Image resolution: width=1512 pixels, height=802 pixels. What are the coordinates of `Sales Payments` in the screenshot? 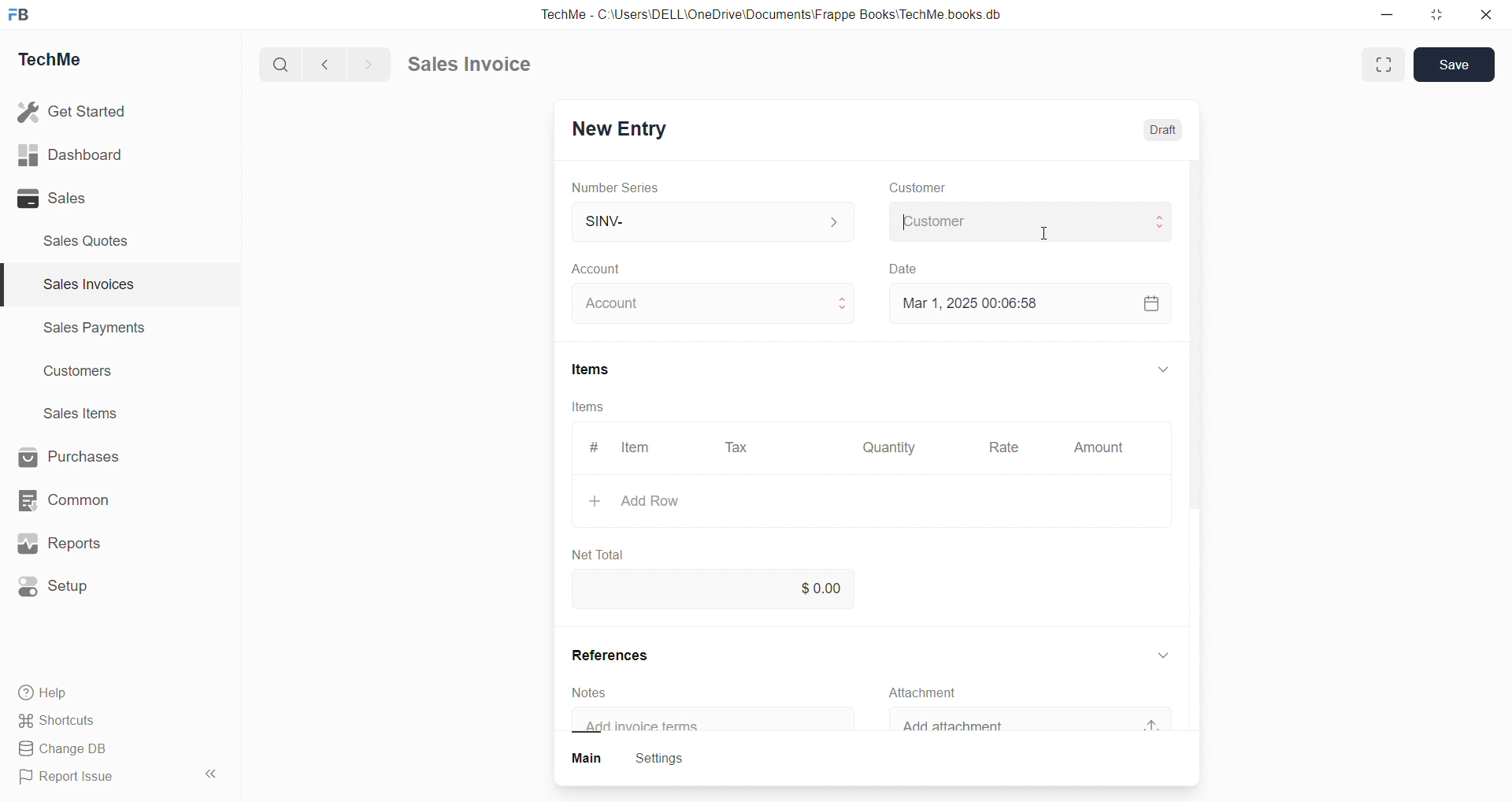 It's located at (87, 330).